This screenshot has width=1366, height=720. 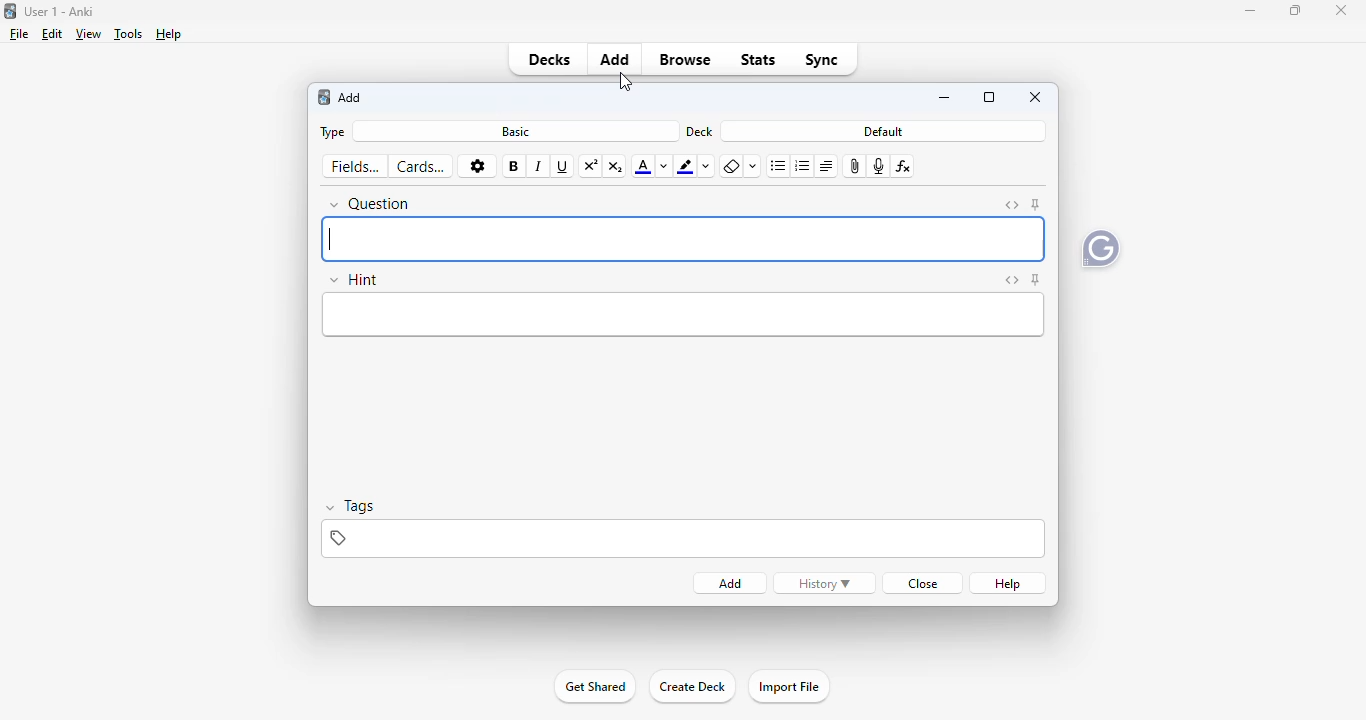 I want to click on unordered list, so click(x=778, y=167).